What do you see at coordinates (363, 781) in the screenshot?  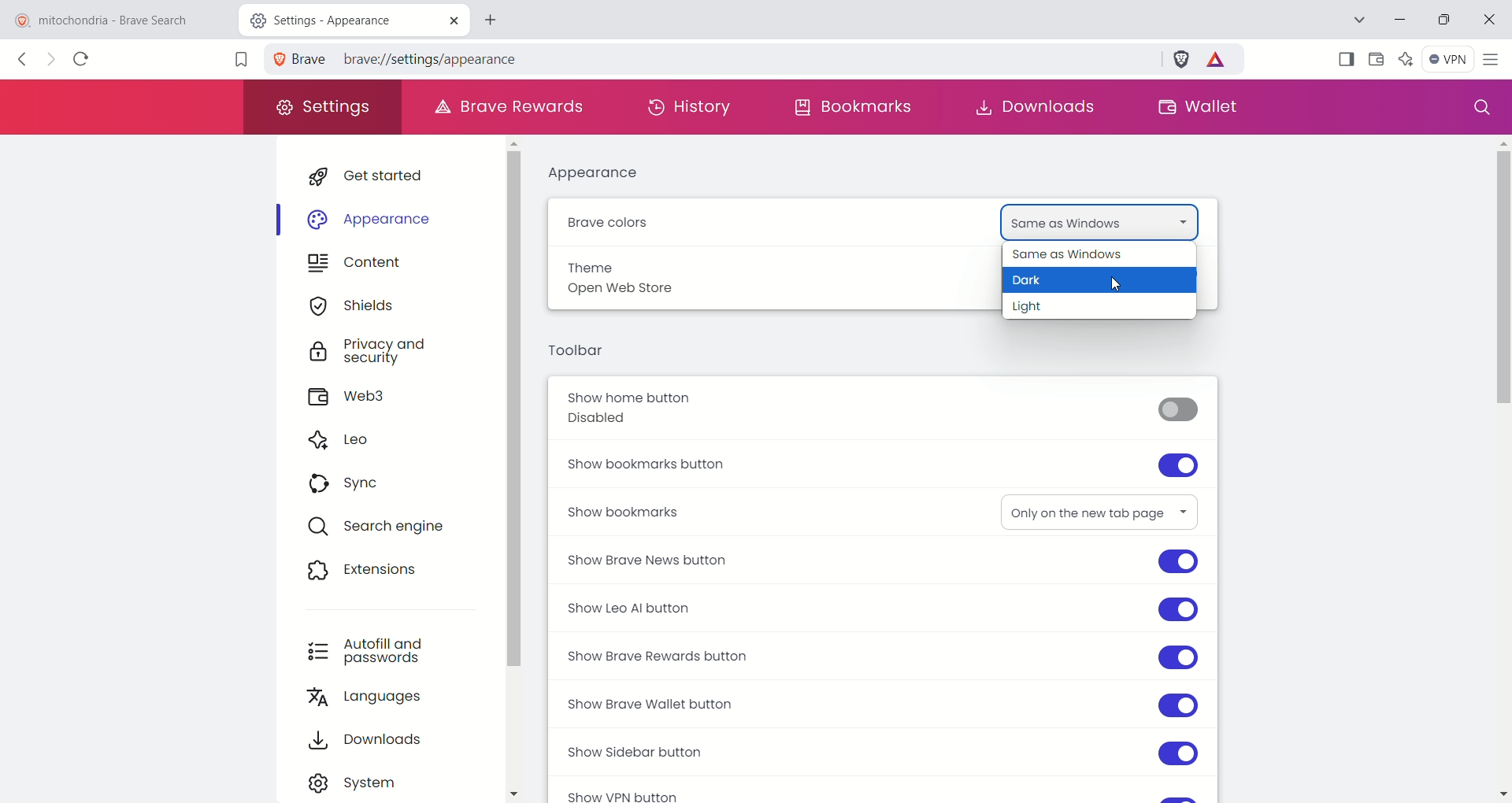 I see `system` at bounding box center [363, 781].